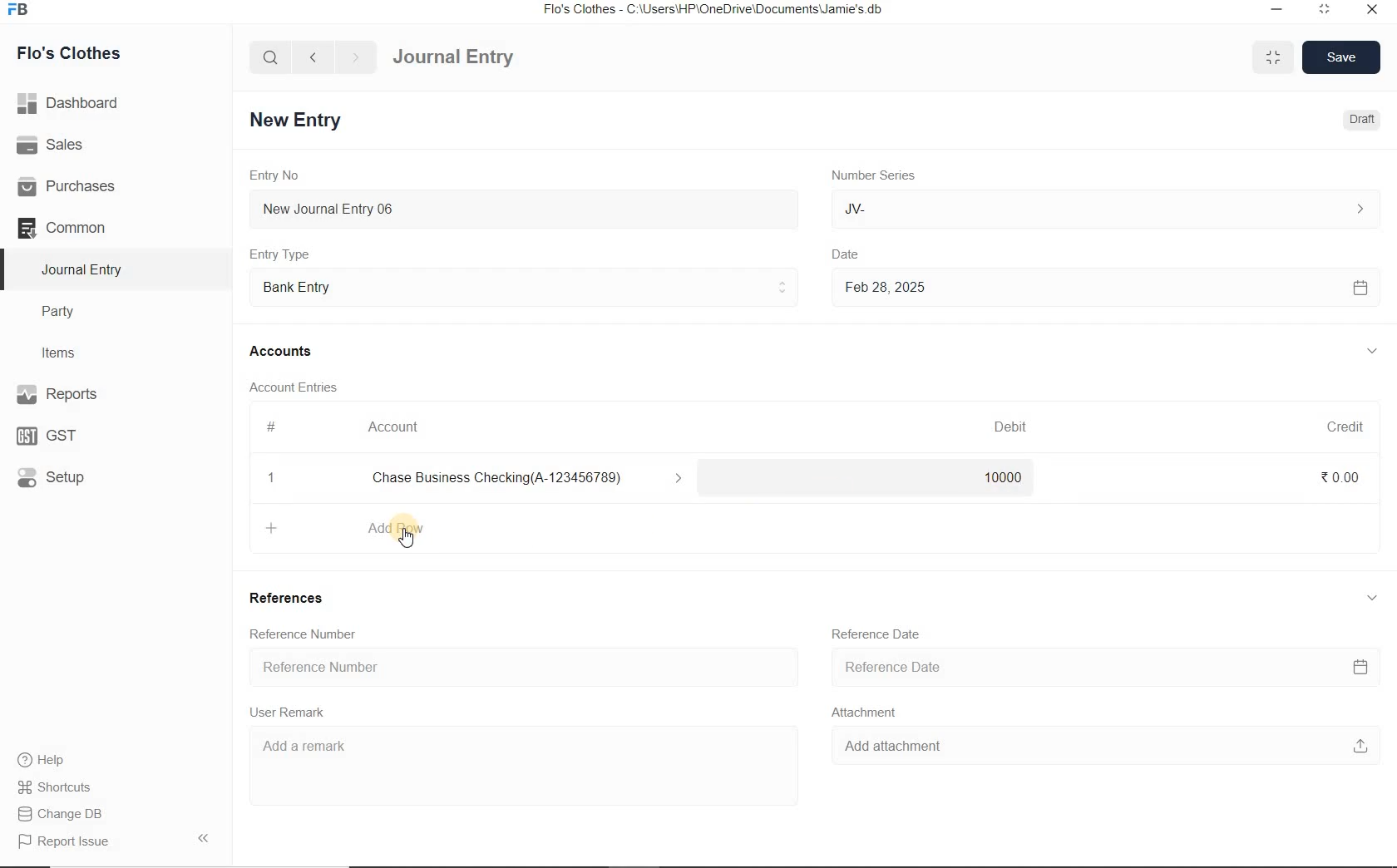  What do you see at coordinates (272, 427) in the screenshot?
I see `#` at bounding box center [272, 427].